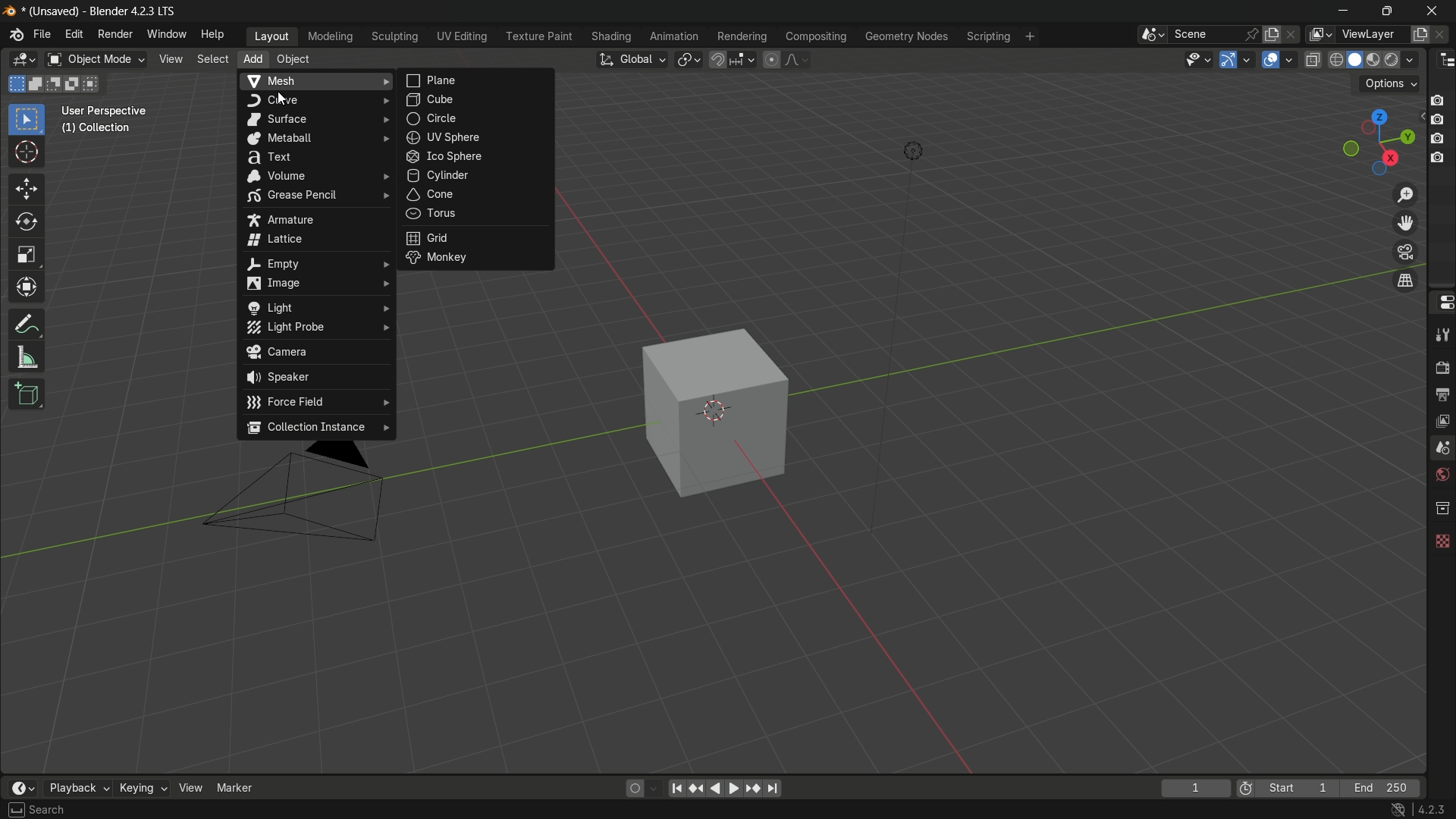 This screenshot has height=819, width=1456. What do you see at coordinates (676, 38) in the screenshot?
I see `animation menu` at bounding box center [676, 38].